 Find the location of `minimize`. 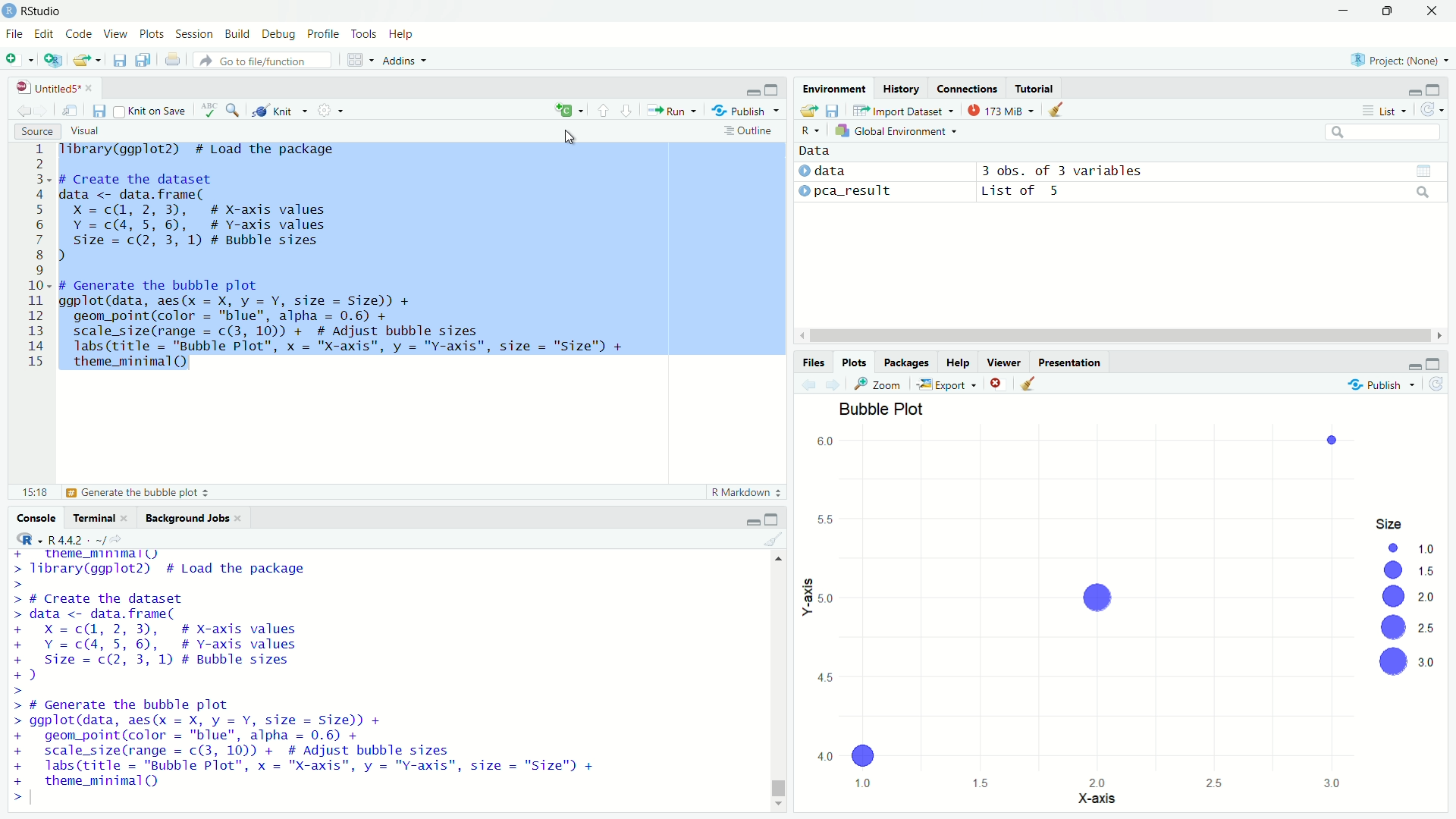

minimize is located at coordinates (1416, 88).